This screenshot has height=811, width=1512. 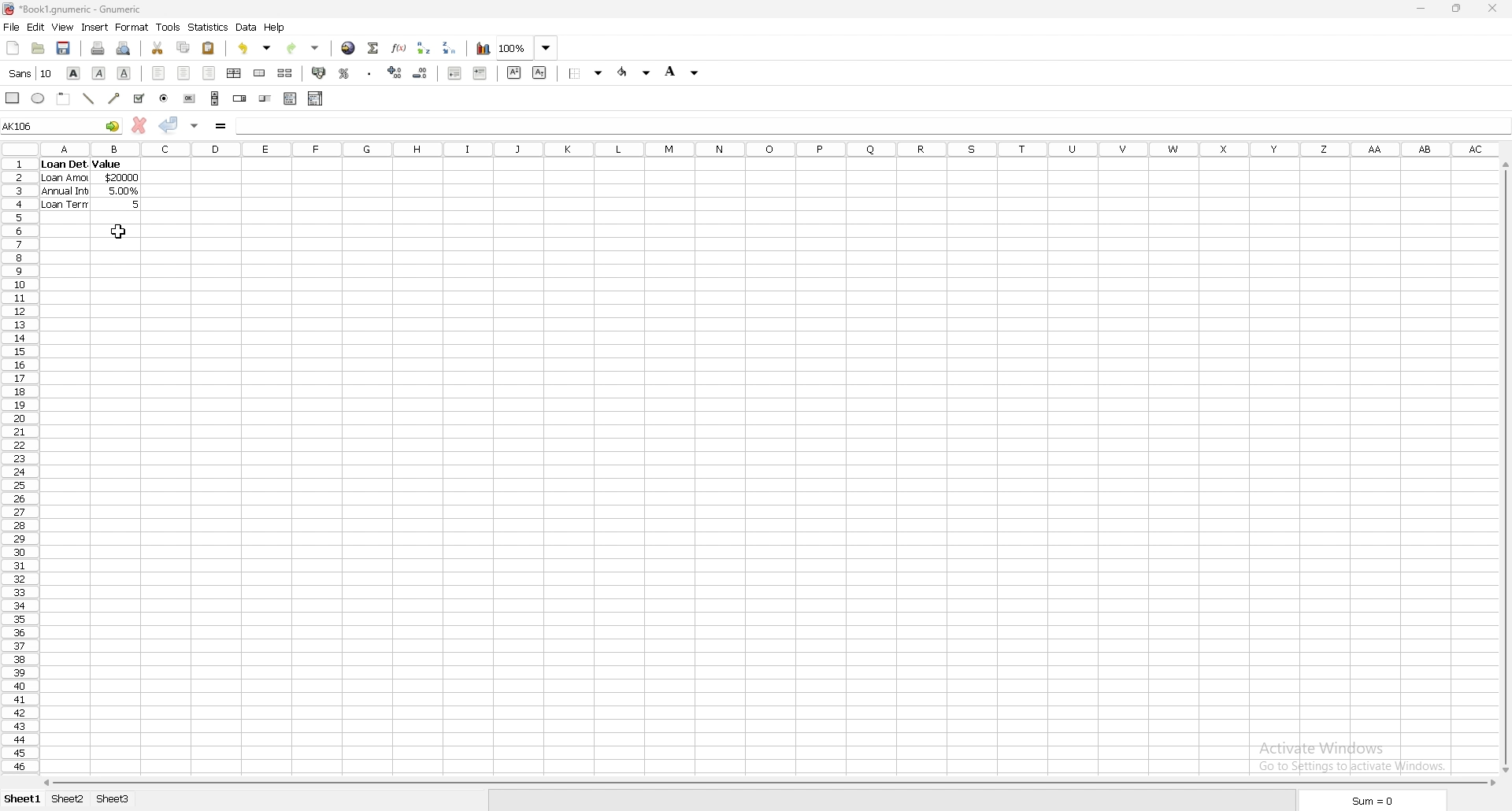 I want to click on centre horizontally, so click(x=235, y=73).